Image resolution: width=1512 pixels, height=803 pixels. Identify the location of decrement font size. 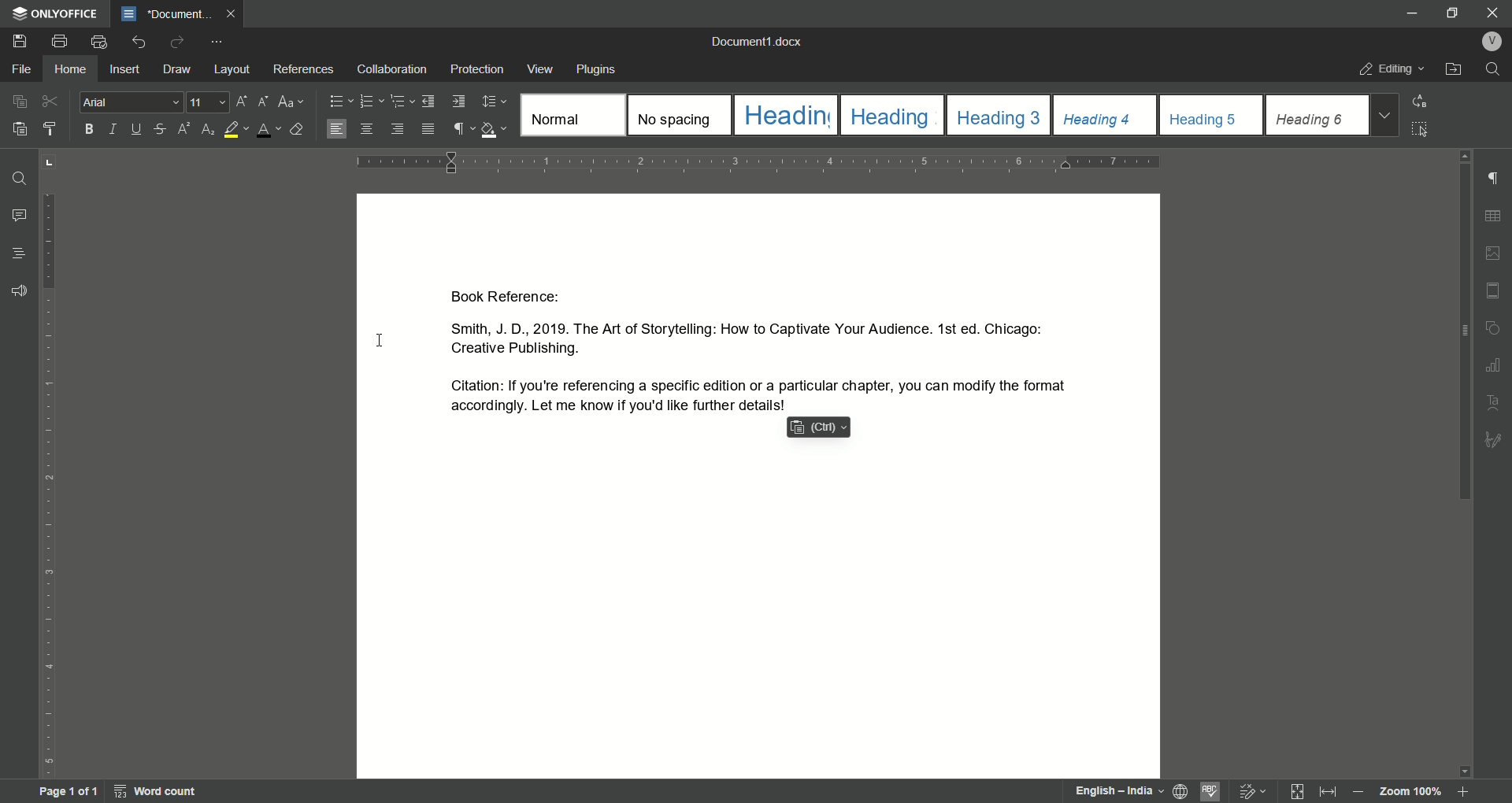
(261, 101).